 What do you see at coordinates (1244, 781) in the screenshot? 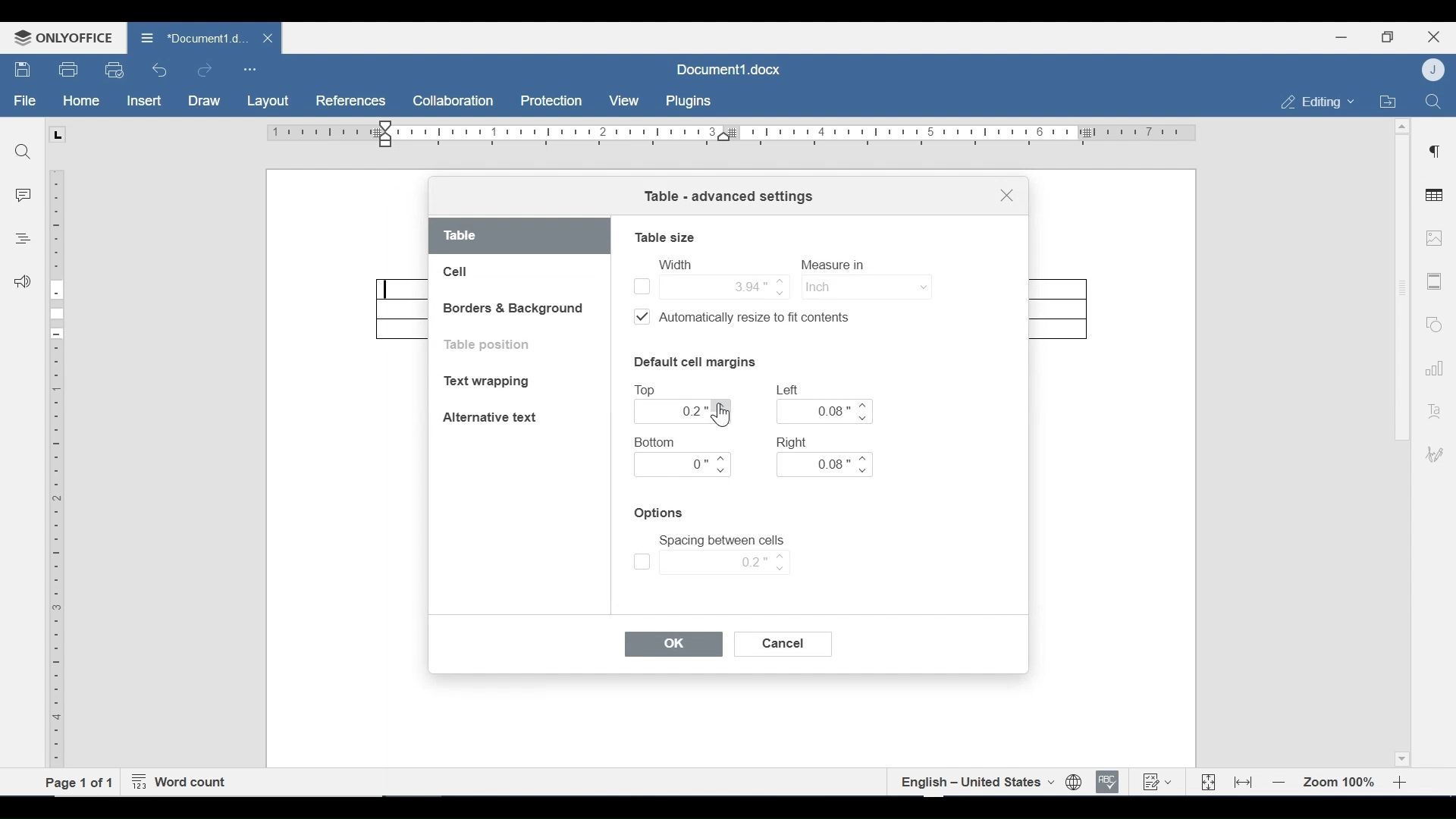
I see `Fit to Width` at bounding box center [1244, 781].